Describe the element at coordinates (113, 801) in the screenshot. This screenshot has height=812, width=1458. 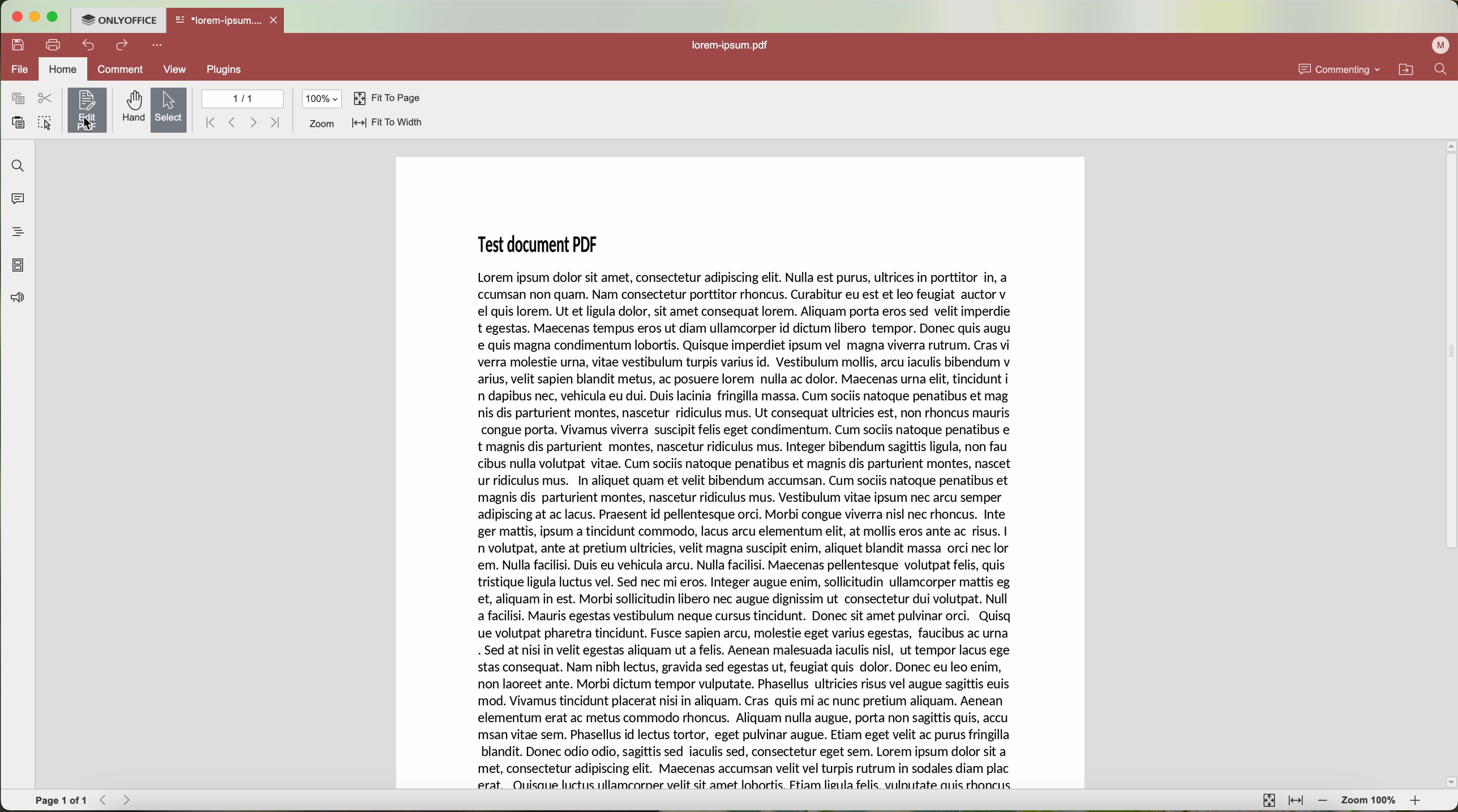
I see `navigate arrows` at that location.